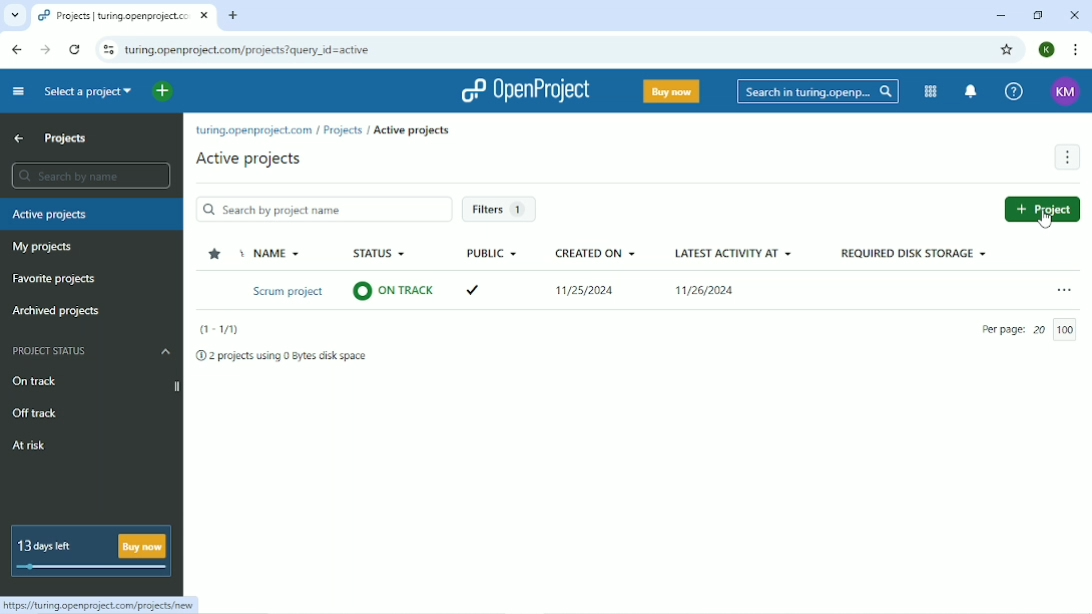 This screenshot has height=614, width=1092. I want to click on 11/26/2024, so click(709, 293).